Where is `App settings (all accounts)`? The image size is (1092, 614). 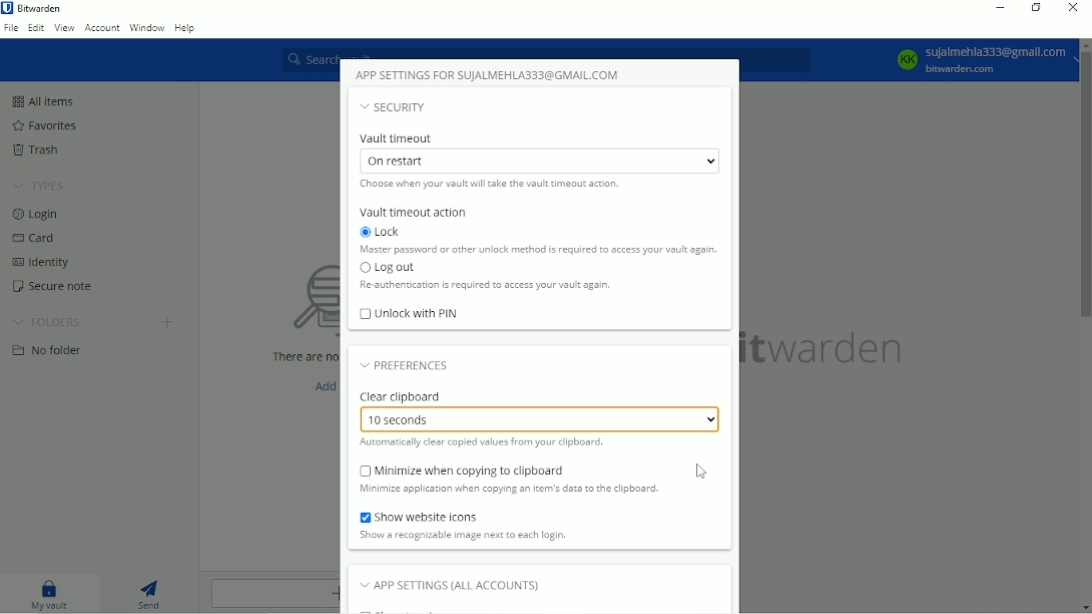 App settings (all accounts) is located at coordinates (448, 585).